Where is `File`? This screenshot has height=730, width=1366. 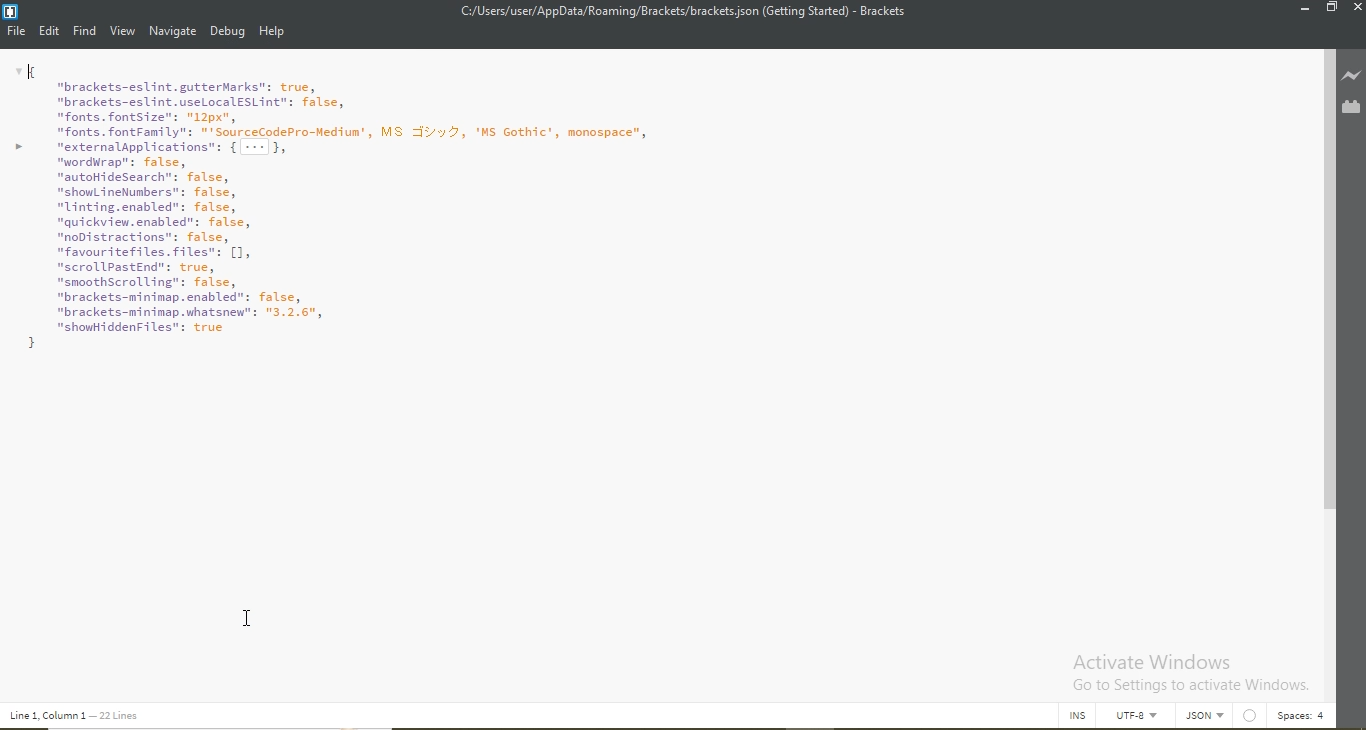
File is located at coordinates (17, 34).